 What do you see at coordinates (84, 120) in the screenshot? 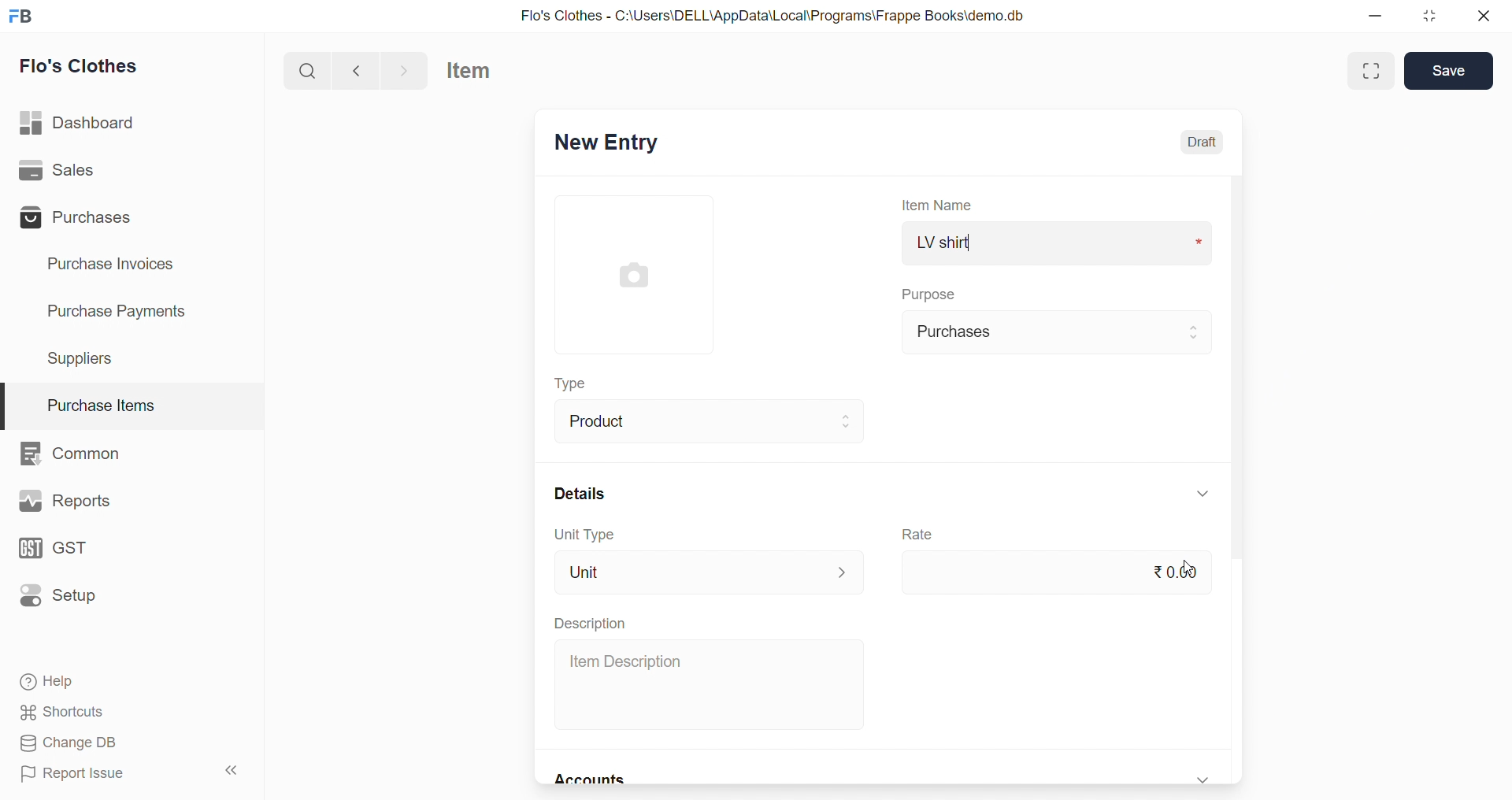
I see `Dashboard` at bounding box center [84, 120].